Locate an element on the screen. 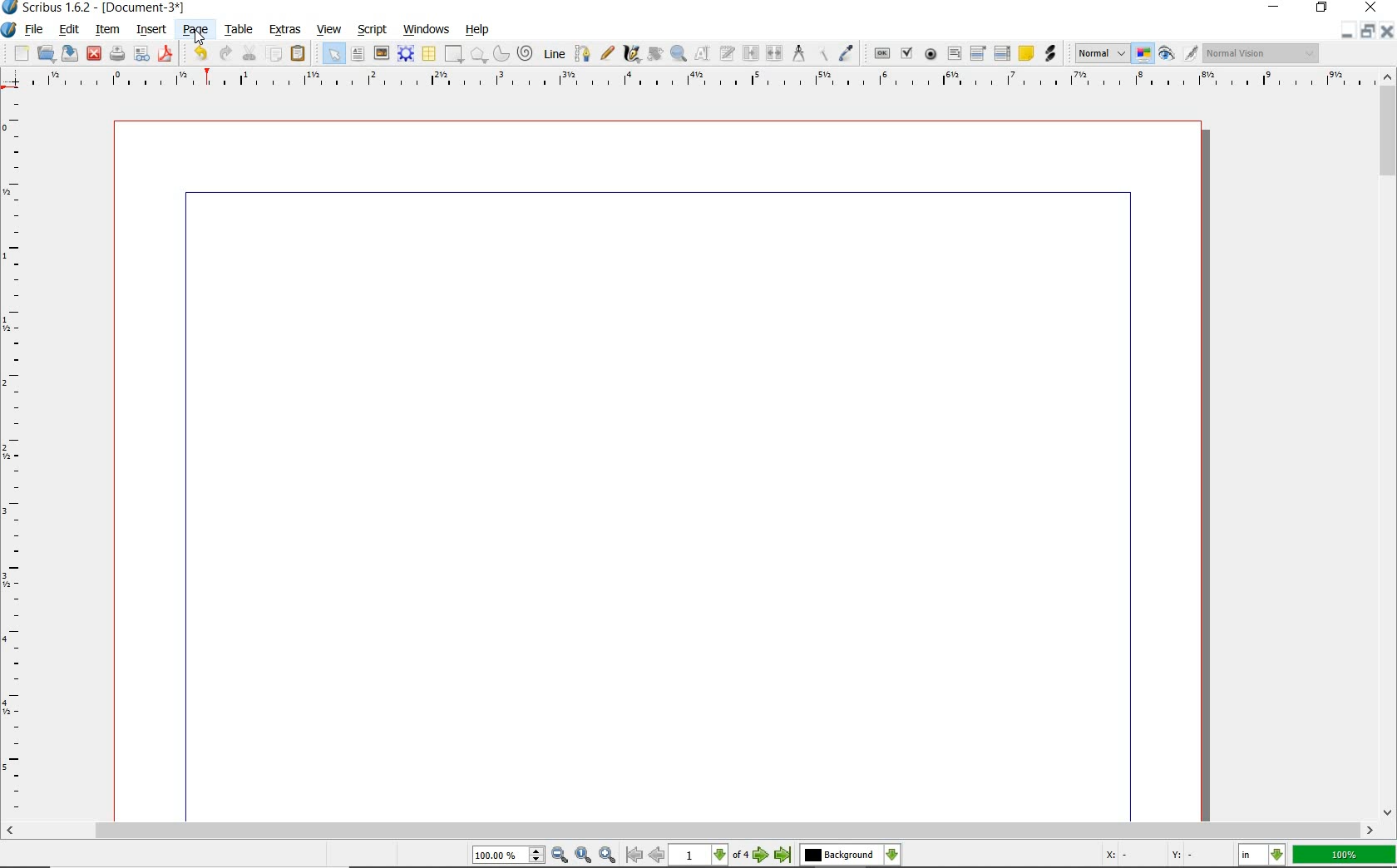 Image resolution: width=1397 pixels, height=868 pixels. pdf text field is located at coordinates (955, 52).